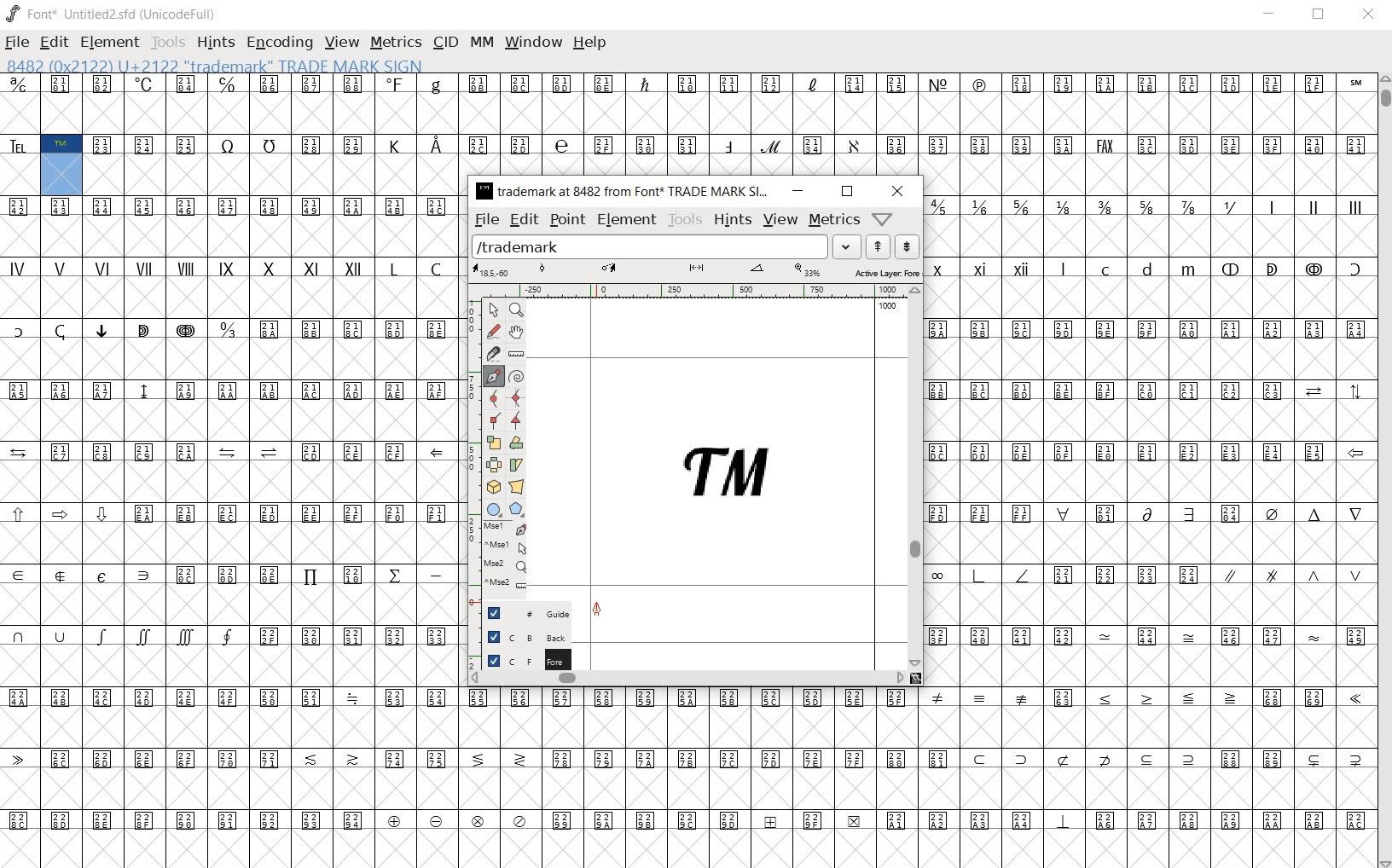  Describe the element at coordinates (111, 44) in the screenshot. I see `ELEMENT` at that location.